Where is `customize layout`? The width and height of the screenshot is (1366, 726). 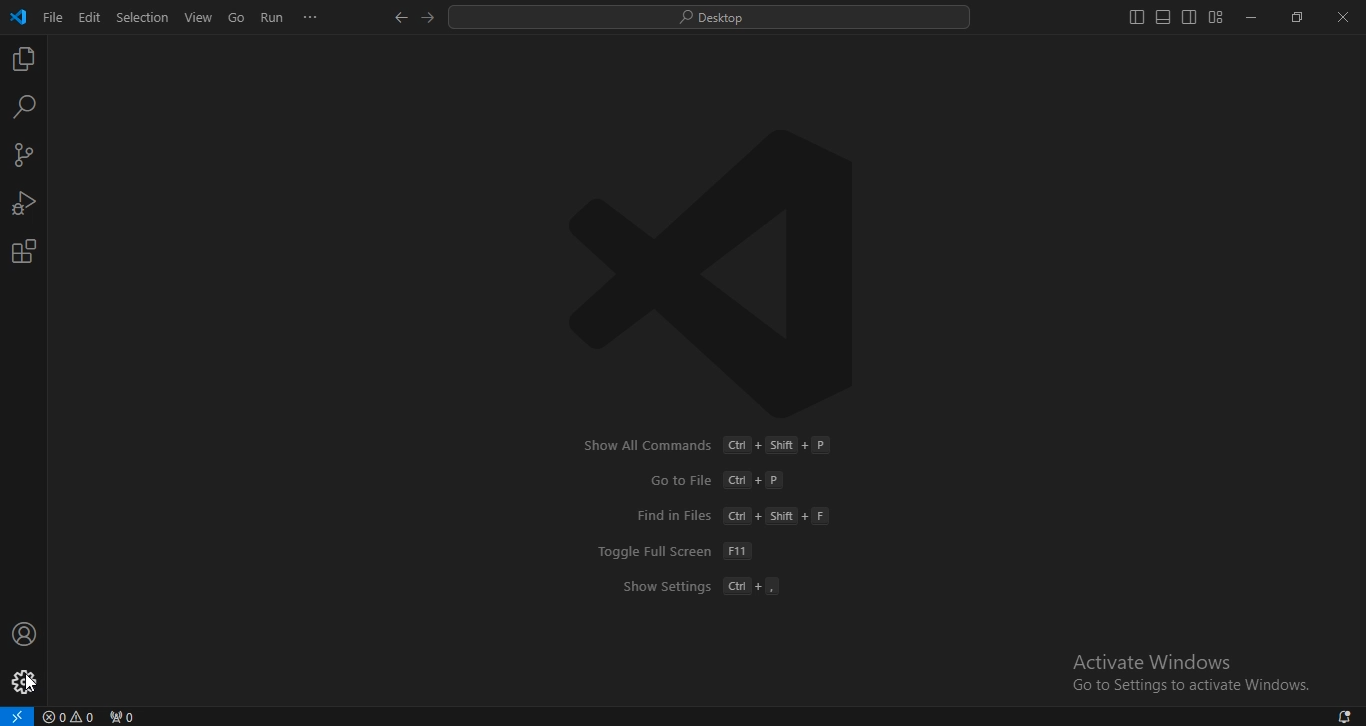 customize layout is located at coordinates (1217, 16).